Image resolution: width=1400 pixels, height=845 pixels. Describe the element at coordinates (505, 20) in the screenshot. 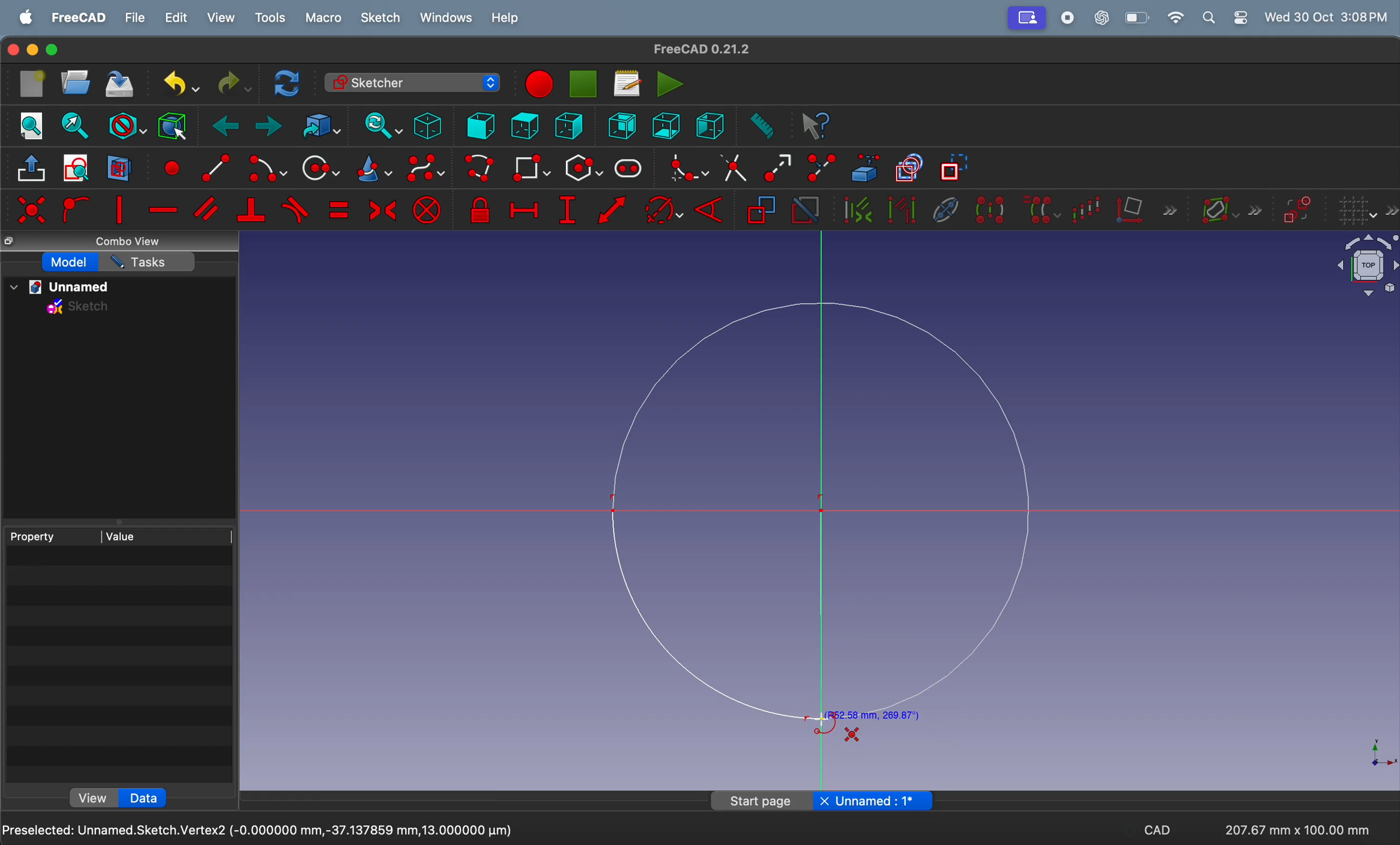

I see `help` at that location.